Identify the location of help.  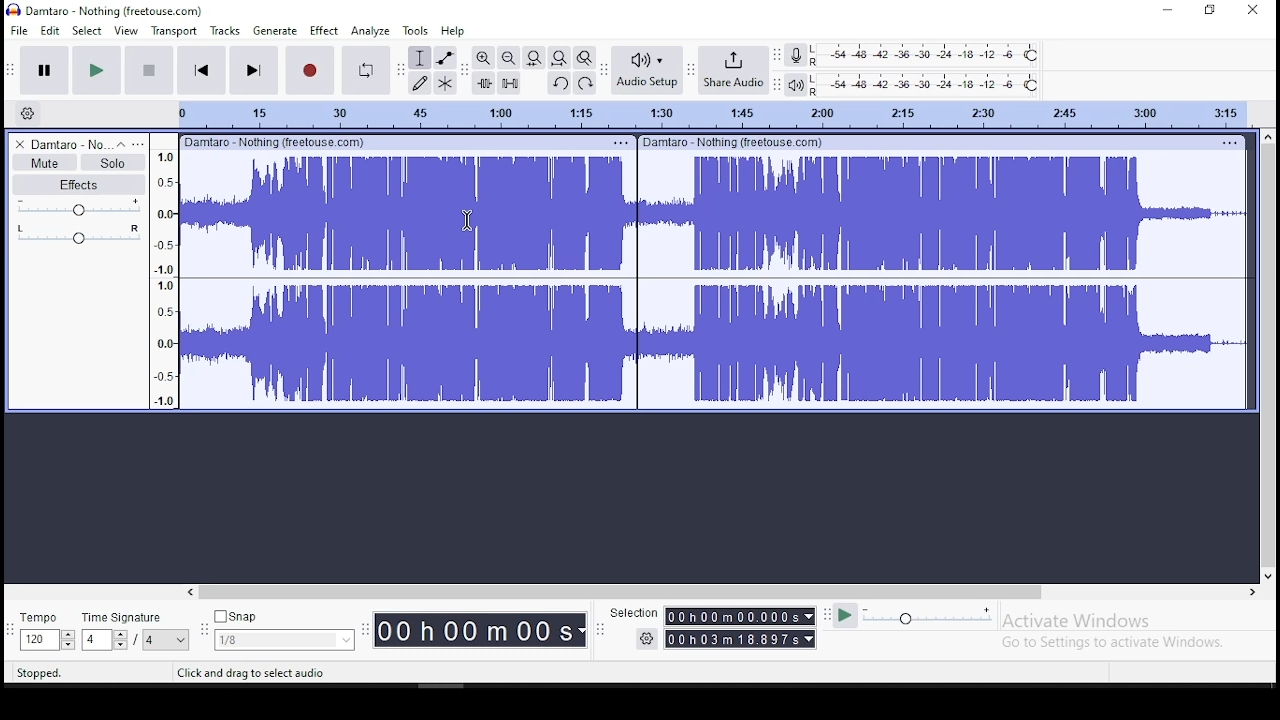
(453, 30).